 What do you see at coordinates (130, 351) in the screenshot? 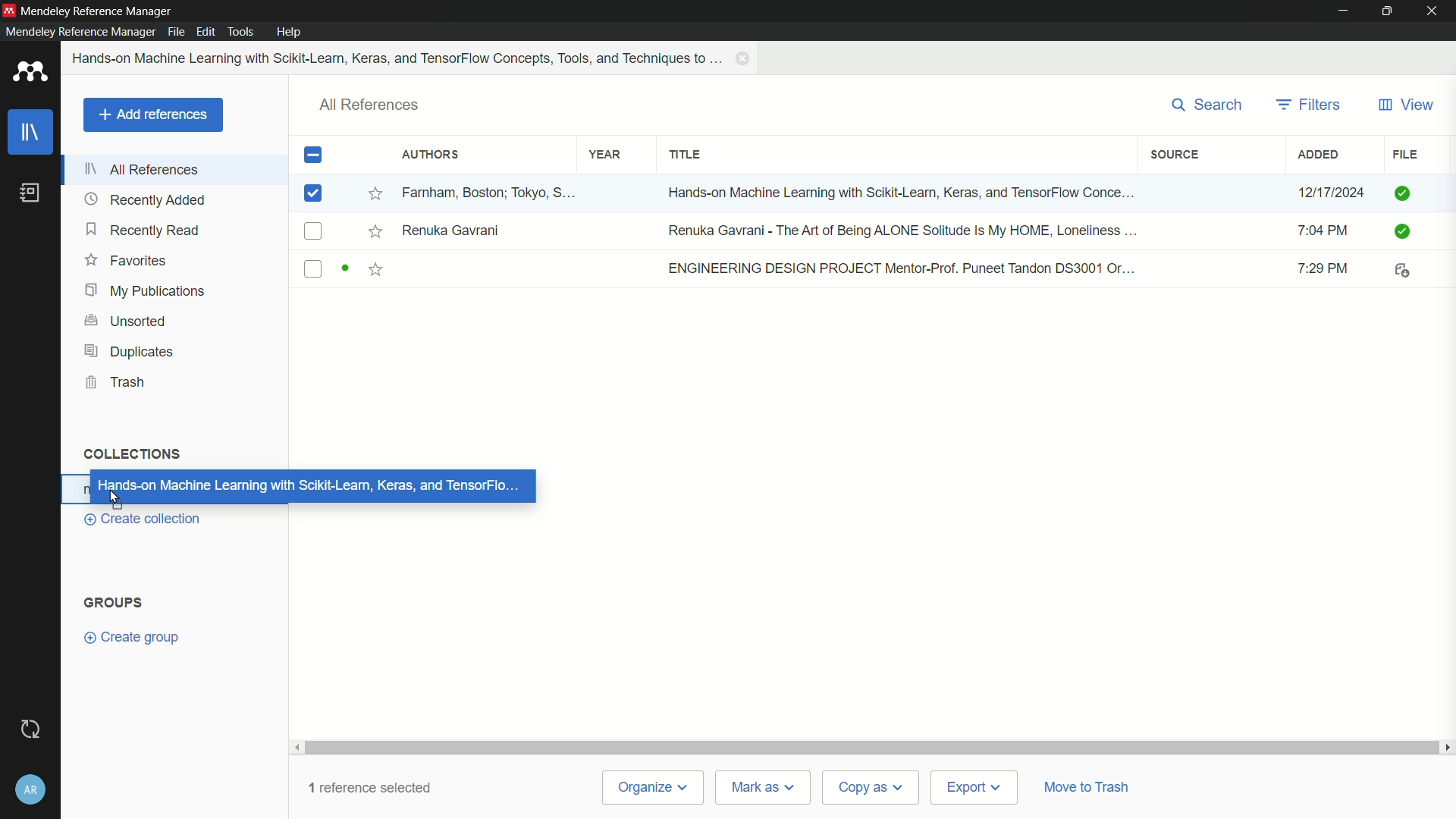
I see `duplicates` at bounding box center [130, 351].